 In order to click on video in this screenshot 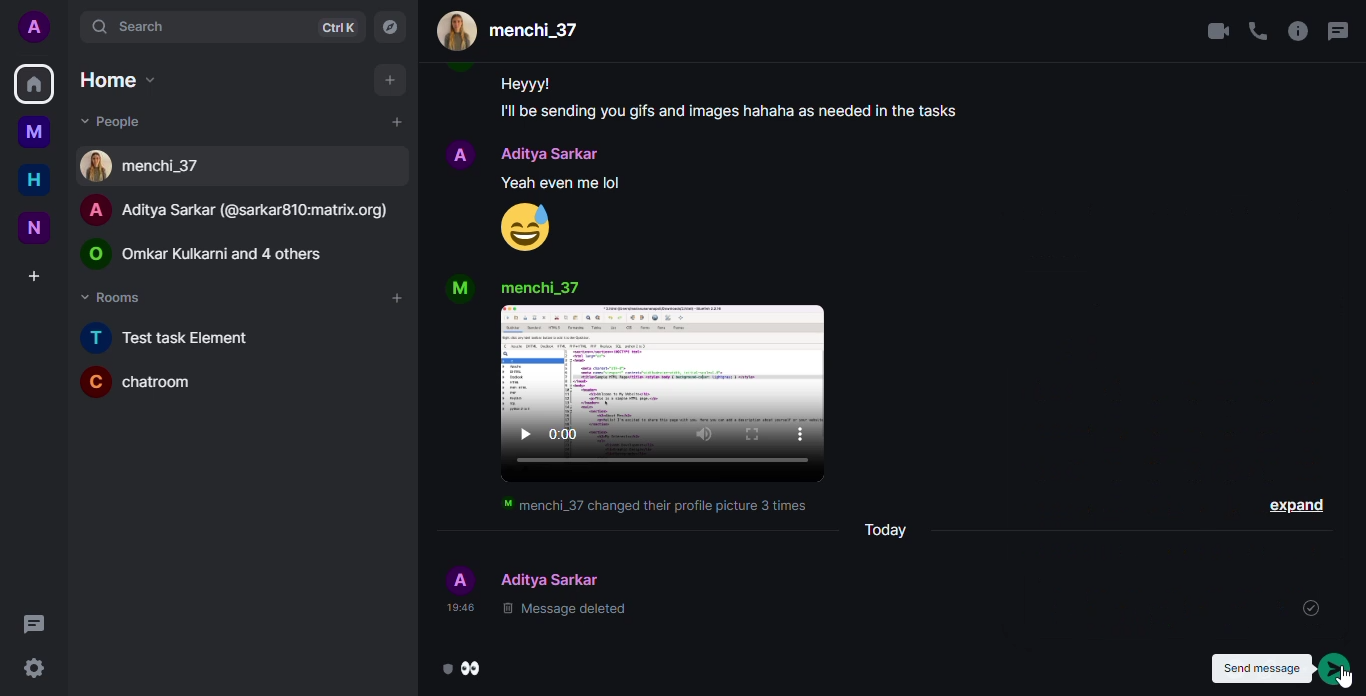, I will do `click(666, 396)`.